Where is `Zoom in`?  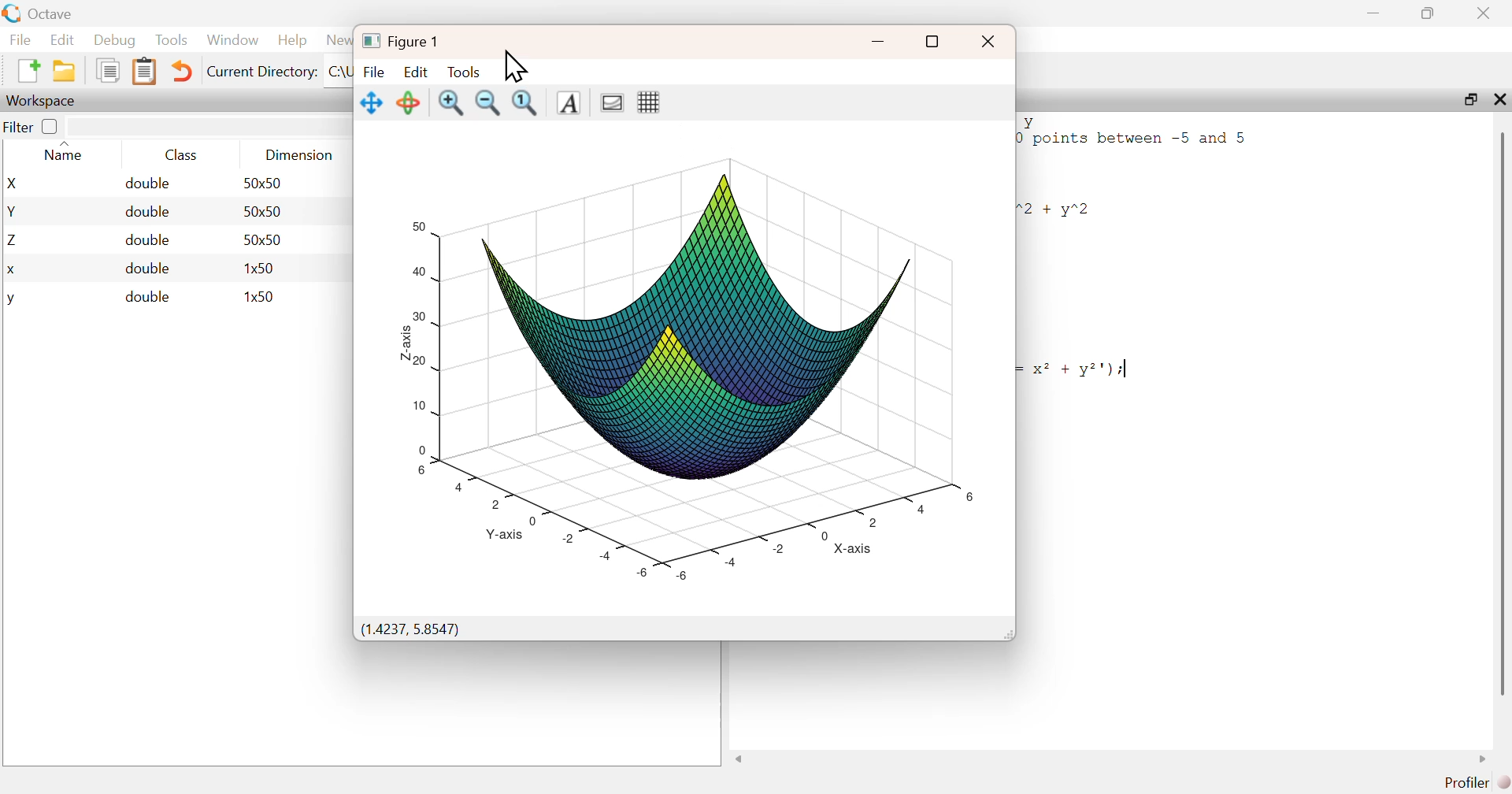
Zoom in is located at coordinates (450, 104).